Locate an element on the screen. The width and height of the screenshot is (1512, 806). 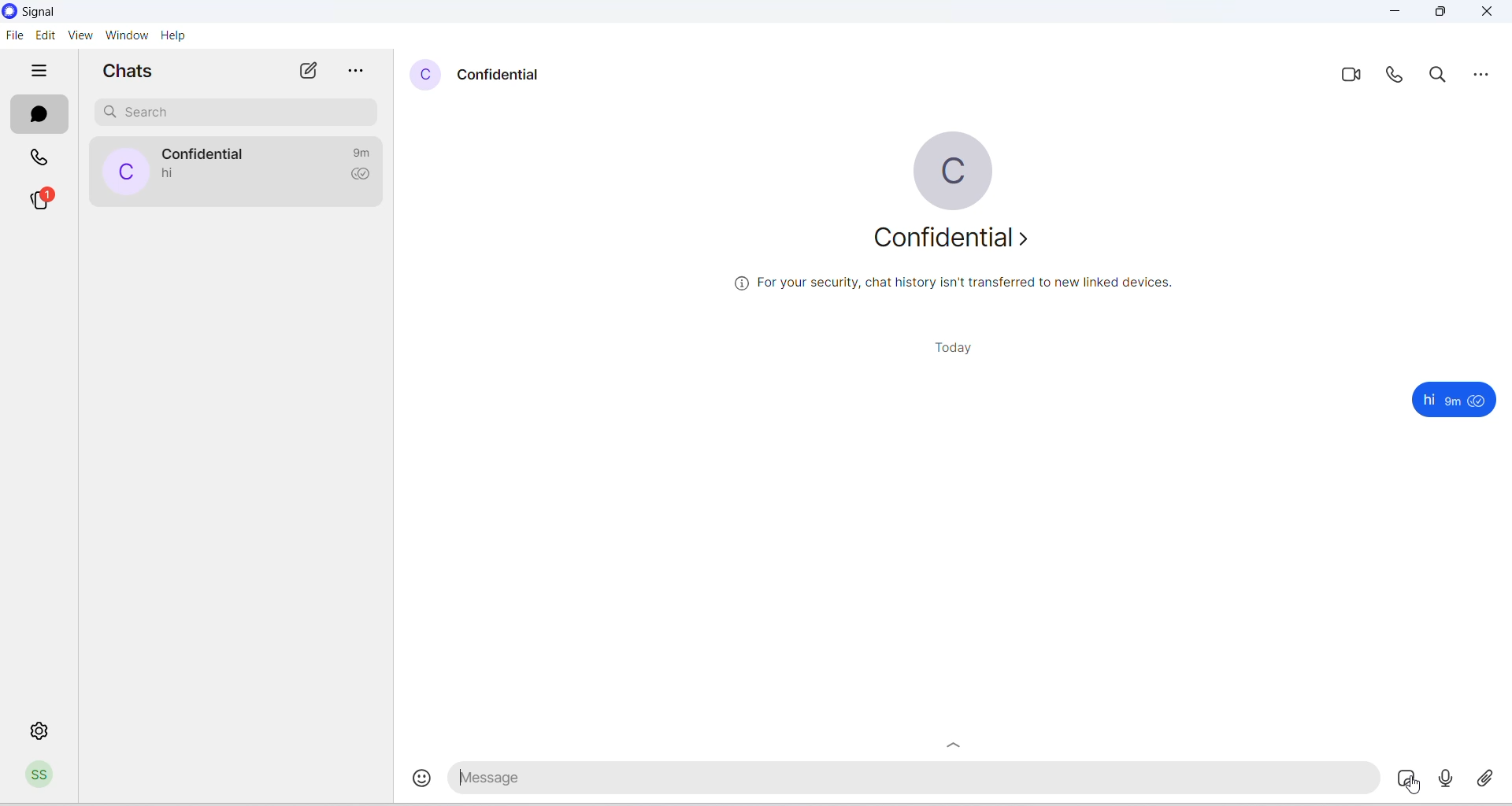
security related text is located at coordinates (962, 288).